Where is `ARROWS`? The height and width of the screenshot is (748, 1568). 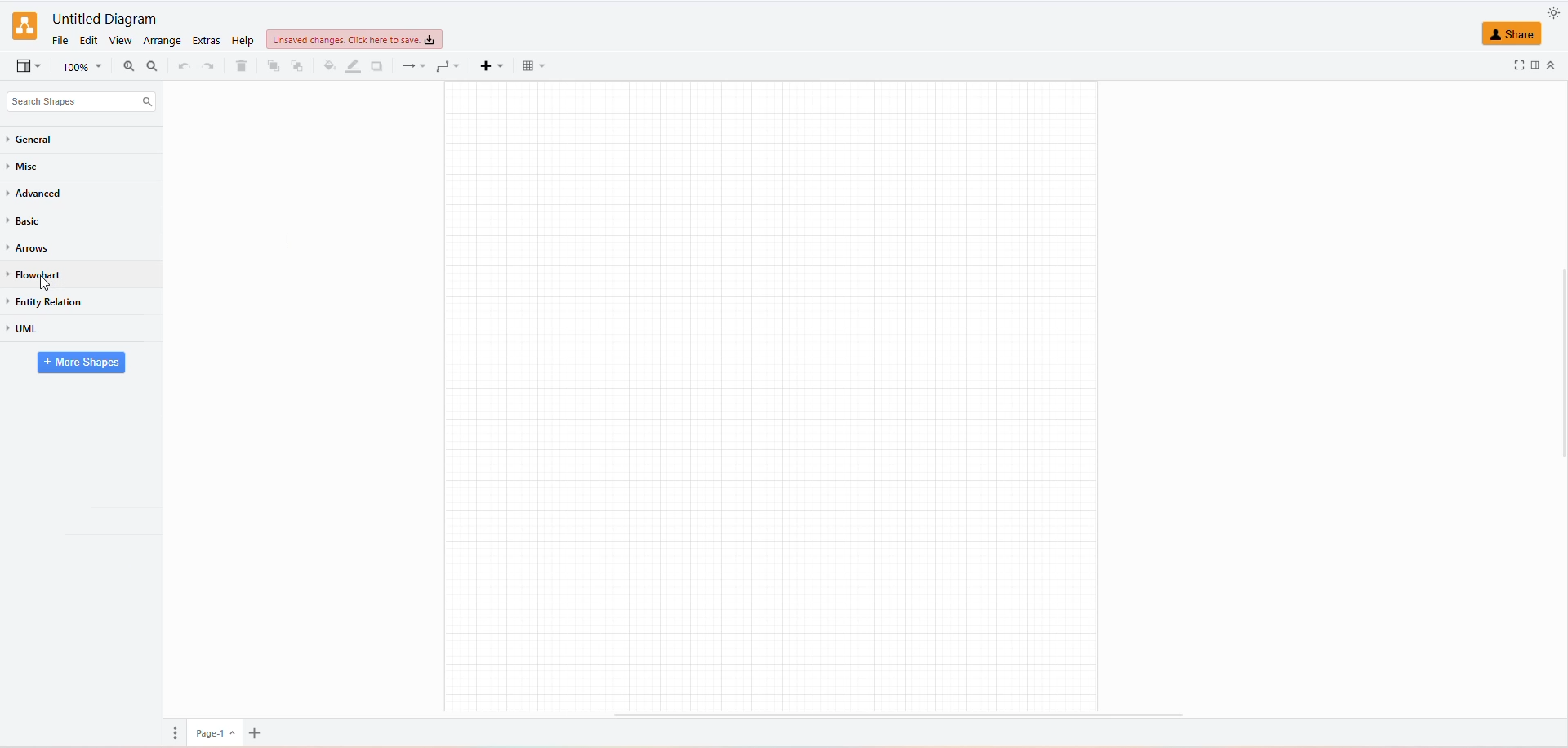
ARROWS is located at coordinates (33, 249).